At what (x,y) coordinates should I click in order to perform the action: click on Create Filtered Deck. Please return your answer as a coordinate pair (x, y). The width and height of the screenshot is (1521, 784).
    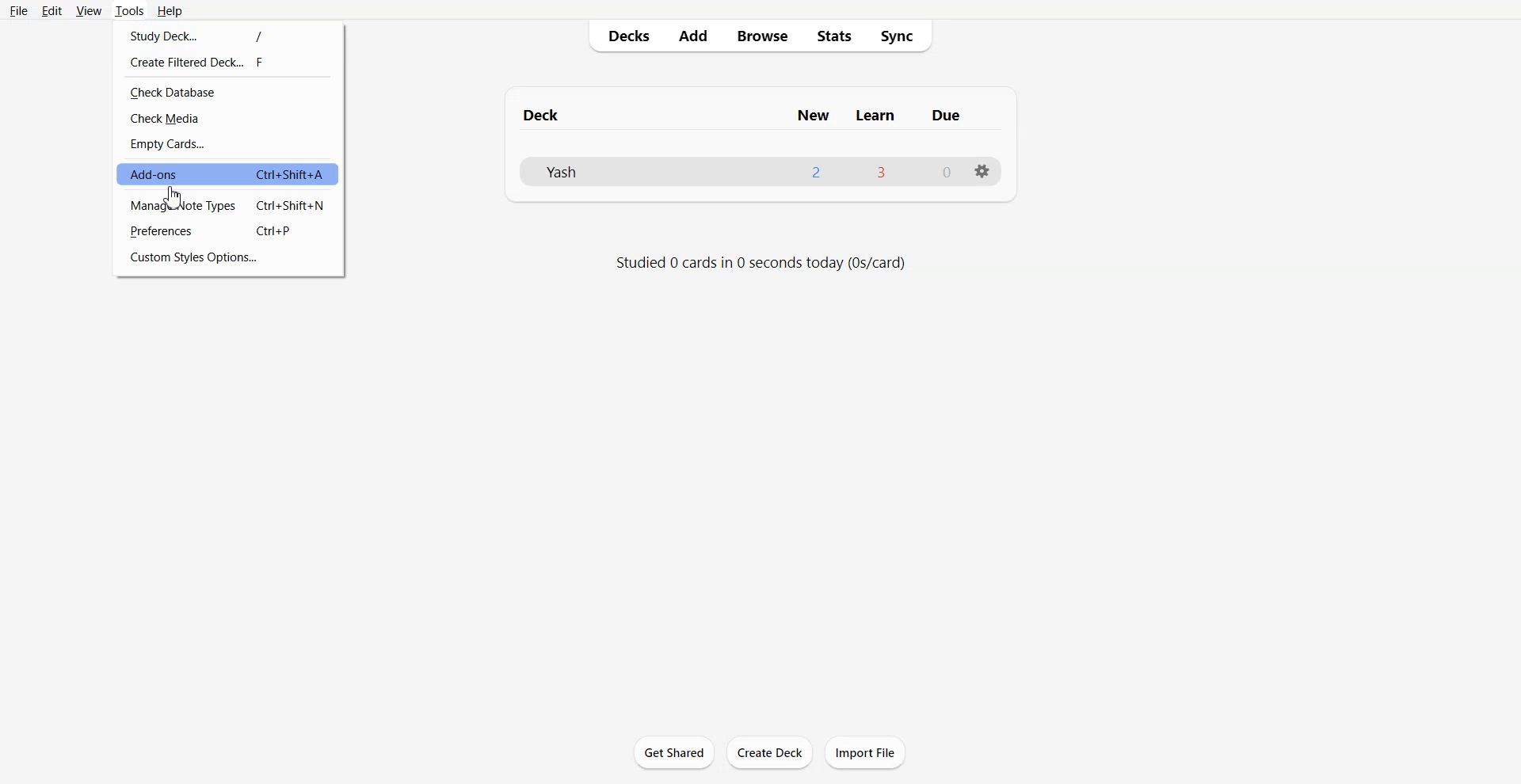
    Looking at the image, I should click on (230, 62).